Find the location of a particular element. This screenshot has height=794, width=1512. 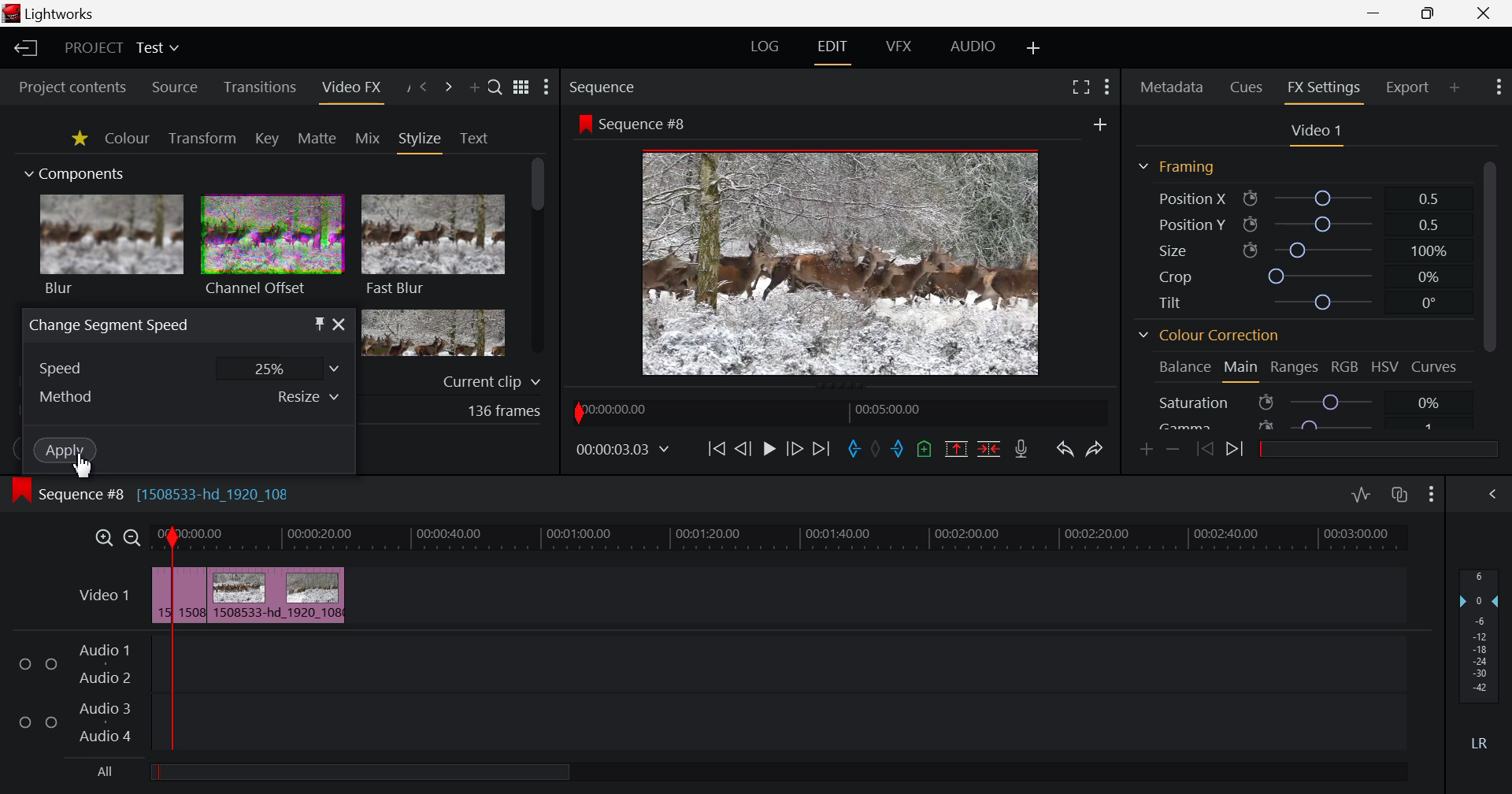

Position X is located at coordinates (1300, 198).